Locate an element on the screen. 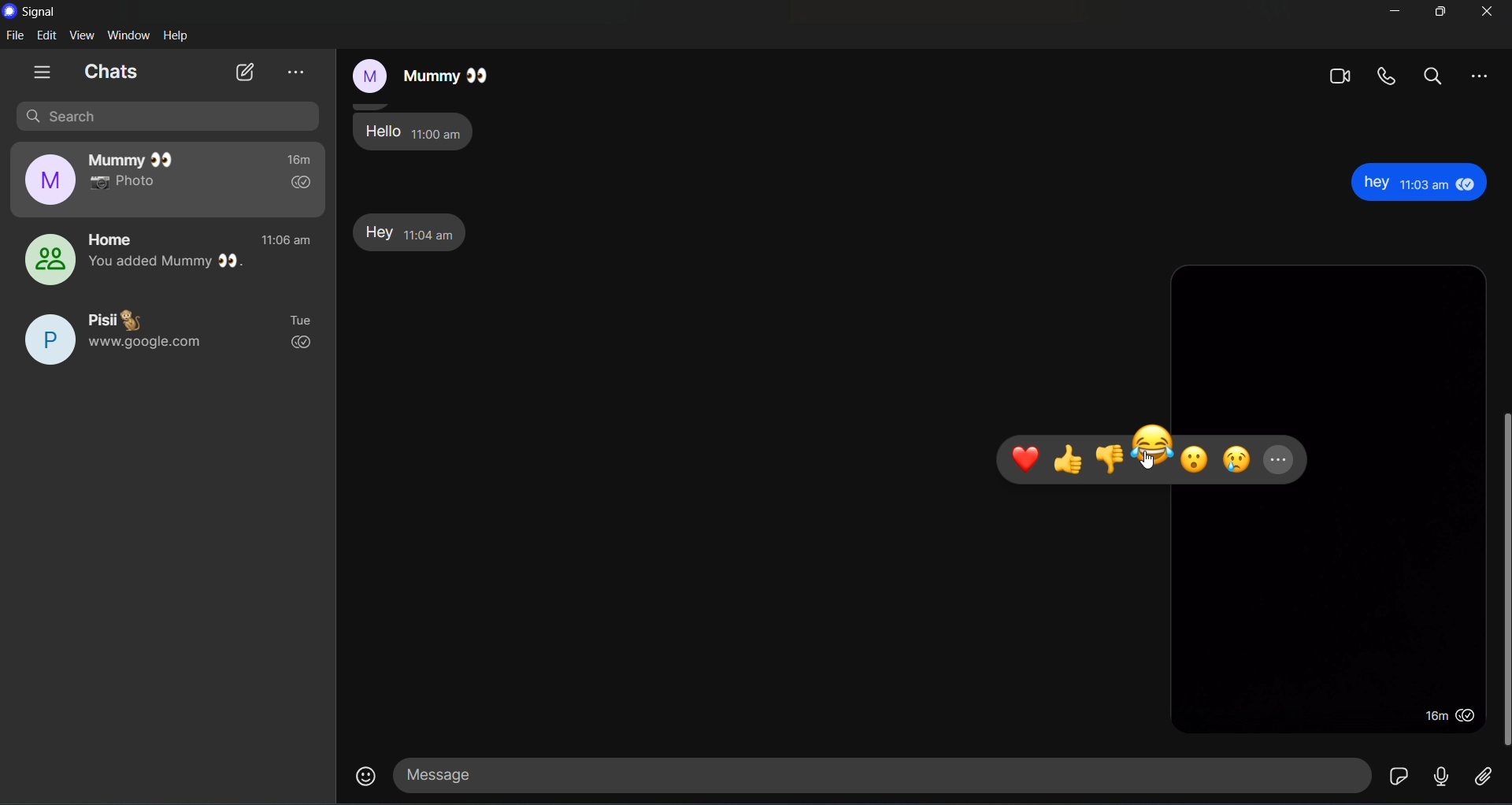 The height and width of the screenshot is (805, 1512). view is located at coordinates (85, 35).